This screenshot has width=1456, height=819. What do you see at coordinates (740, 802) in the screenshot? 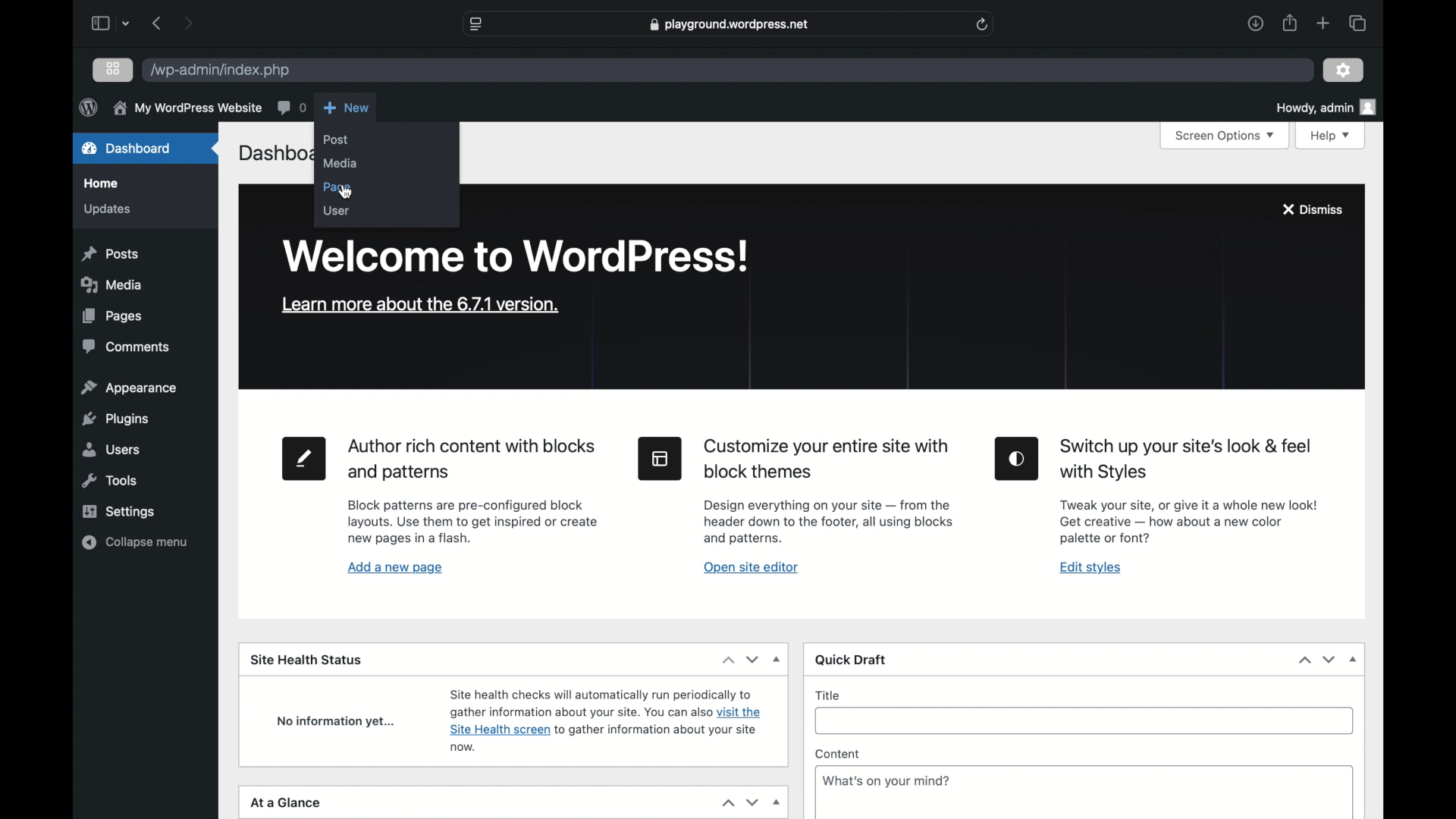
I see `stepper buttons` at bounding box center [740, 802].